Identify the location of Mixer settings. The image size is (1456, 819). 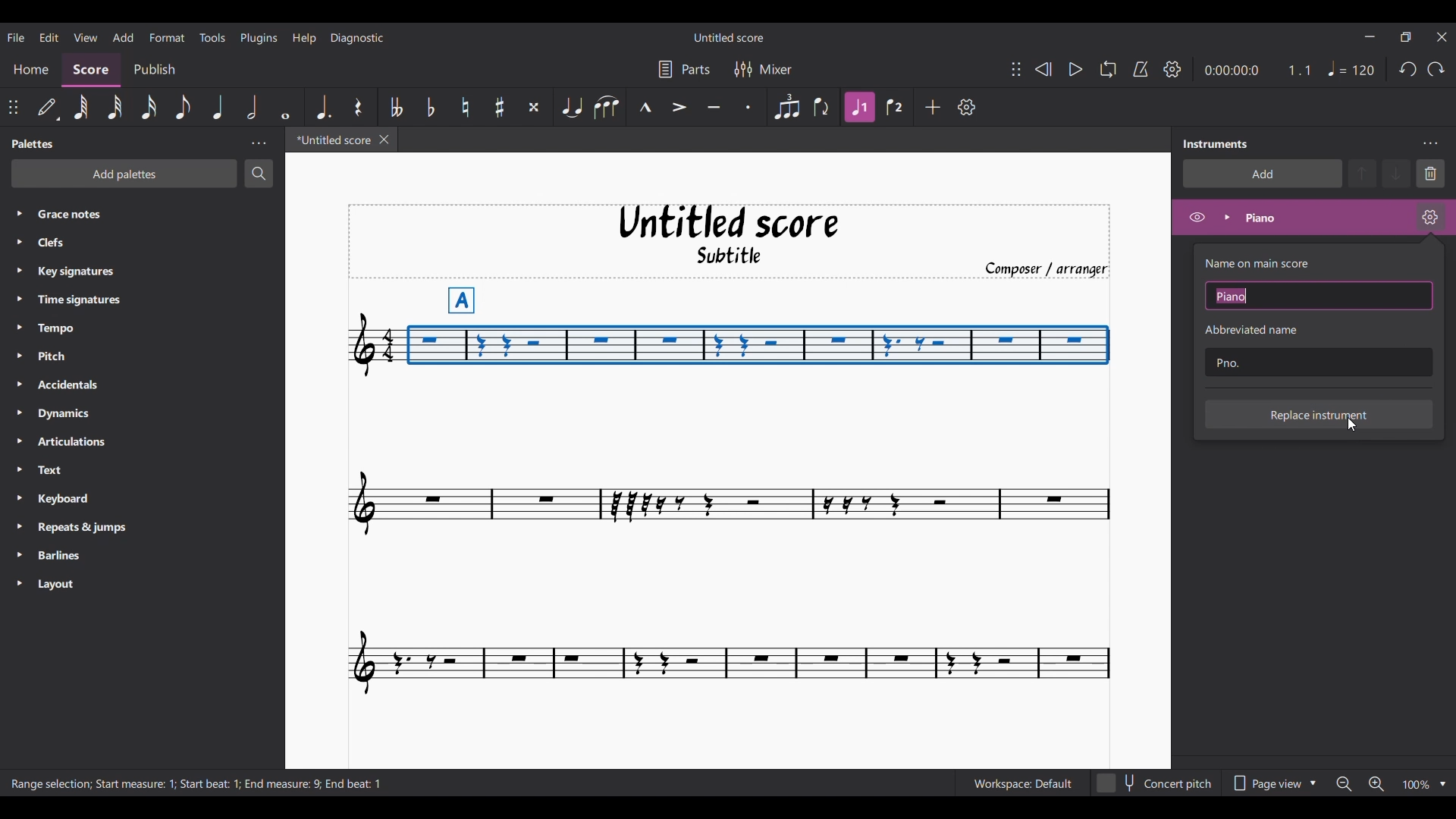
(763, 69).